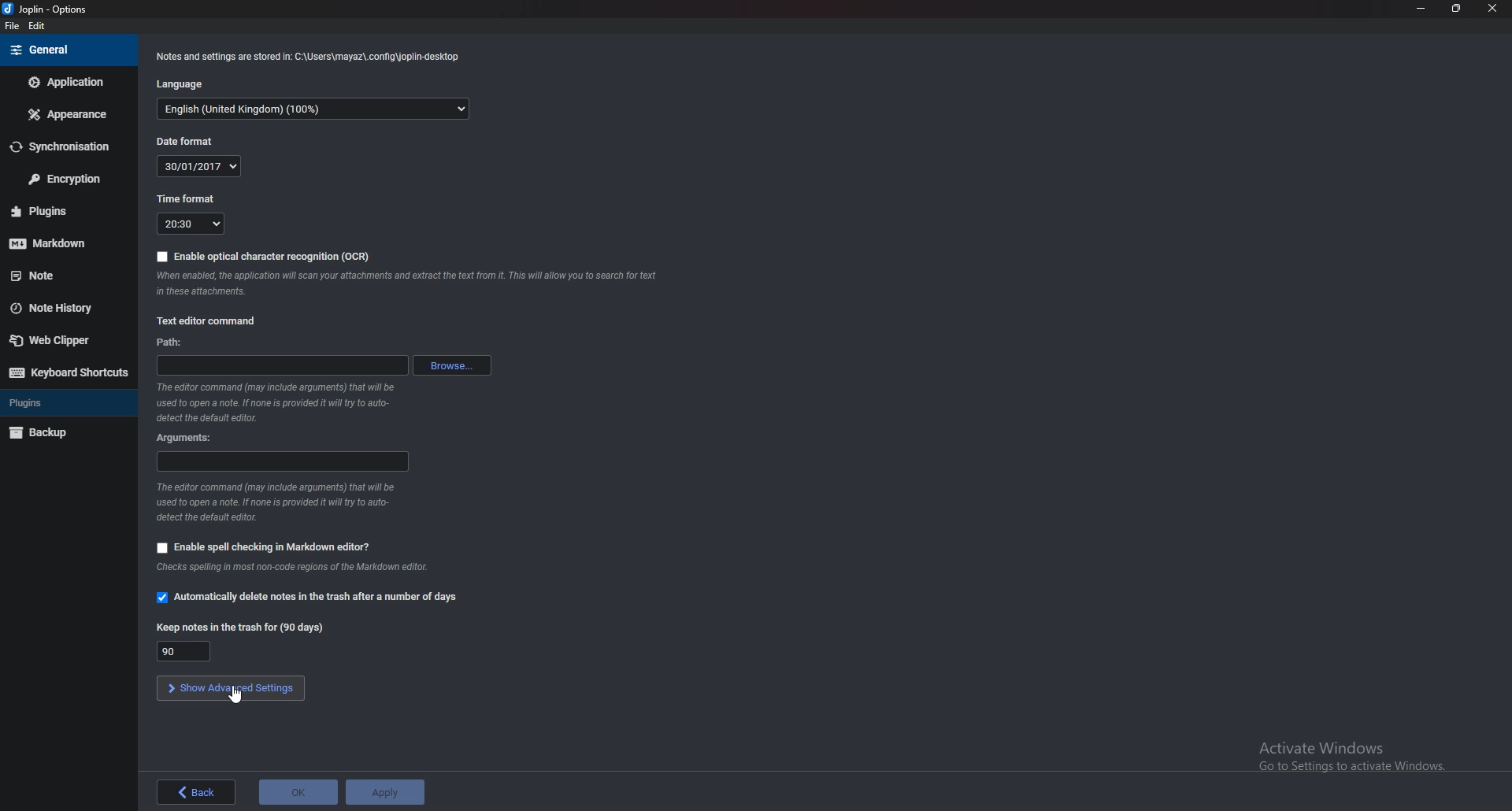 This screenshot has width=1512, height=811. What do you see at coordinates (208, 320) in the screenshot?
I see `Text editor command` at bounding box center [208, 320].